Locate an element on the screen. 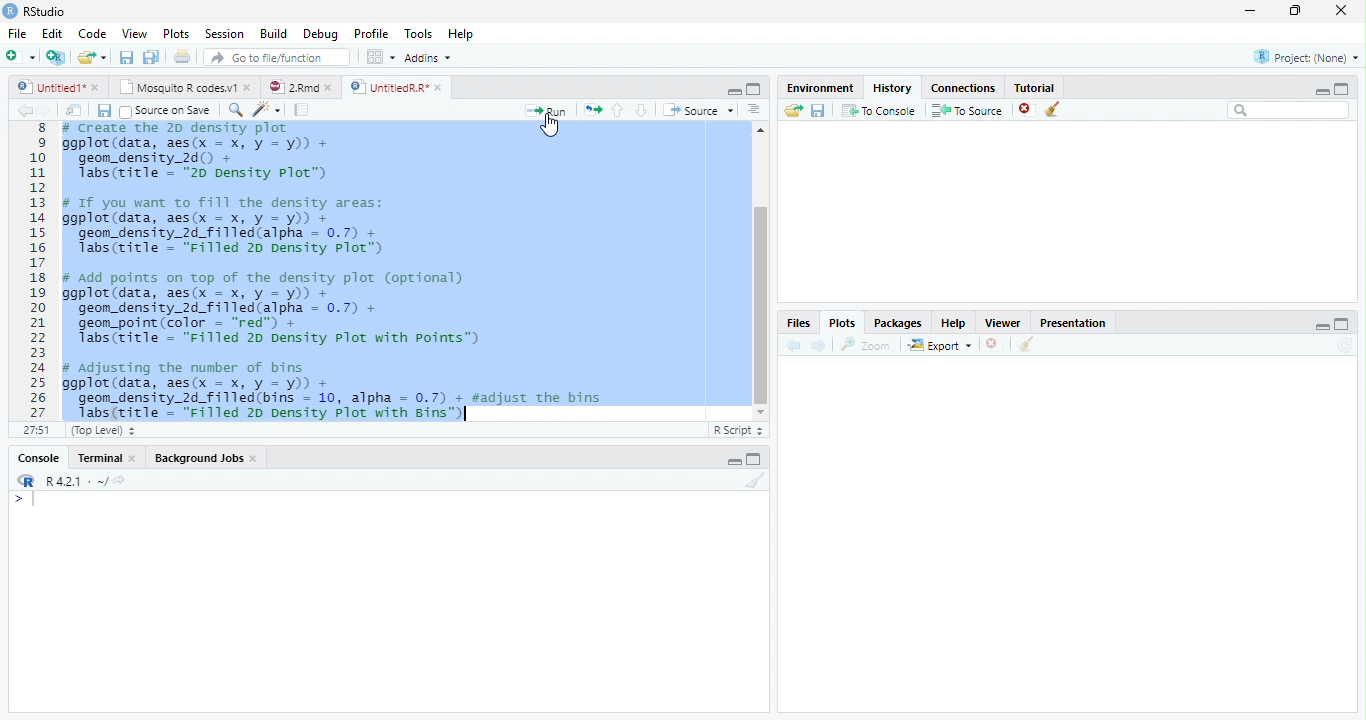  up is located at coordinates (618, 110).